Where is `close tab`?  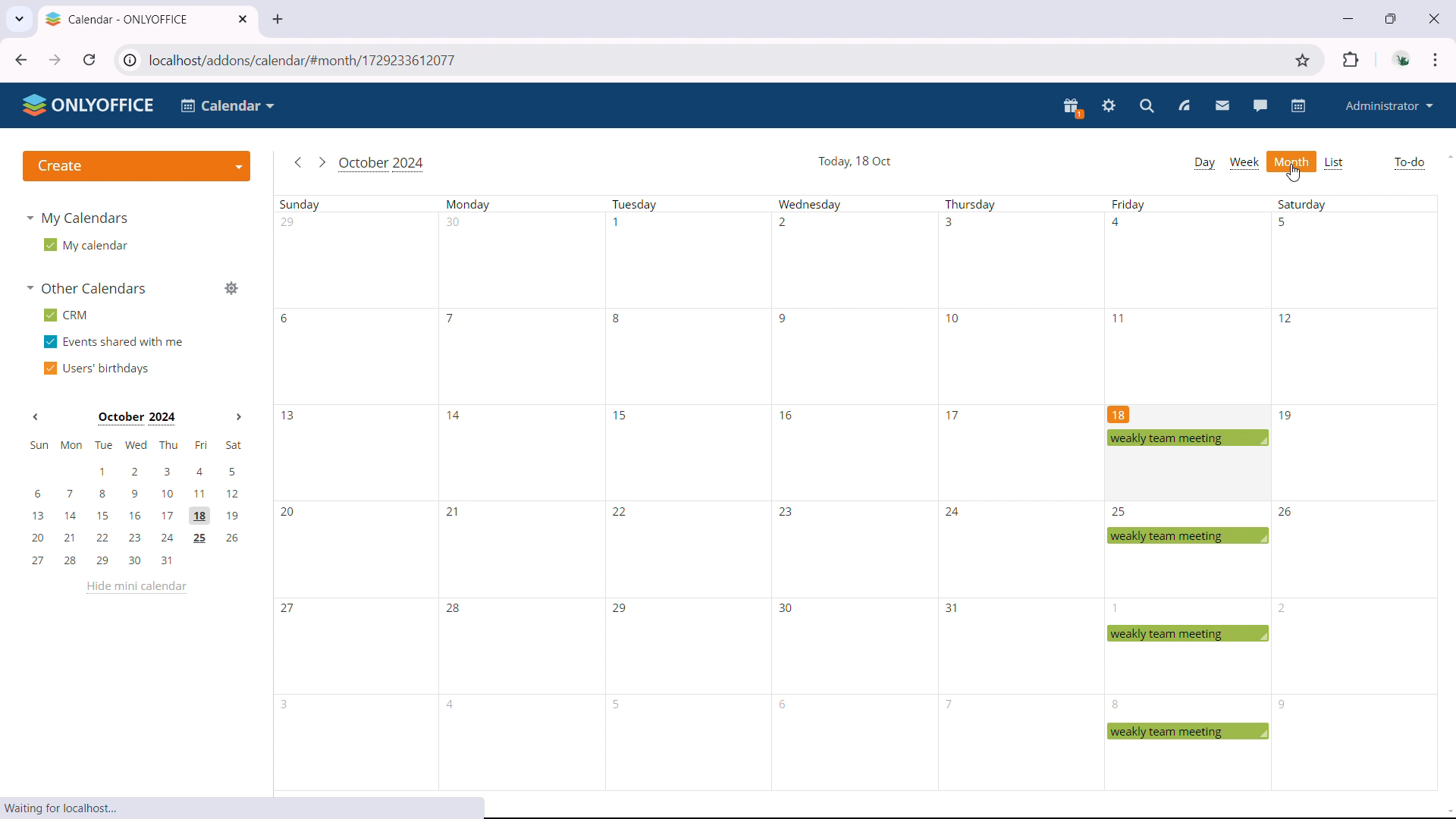 close tab is located at coordinates (243, 19).